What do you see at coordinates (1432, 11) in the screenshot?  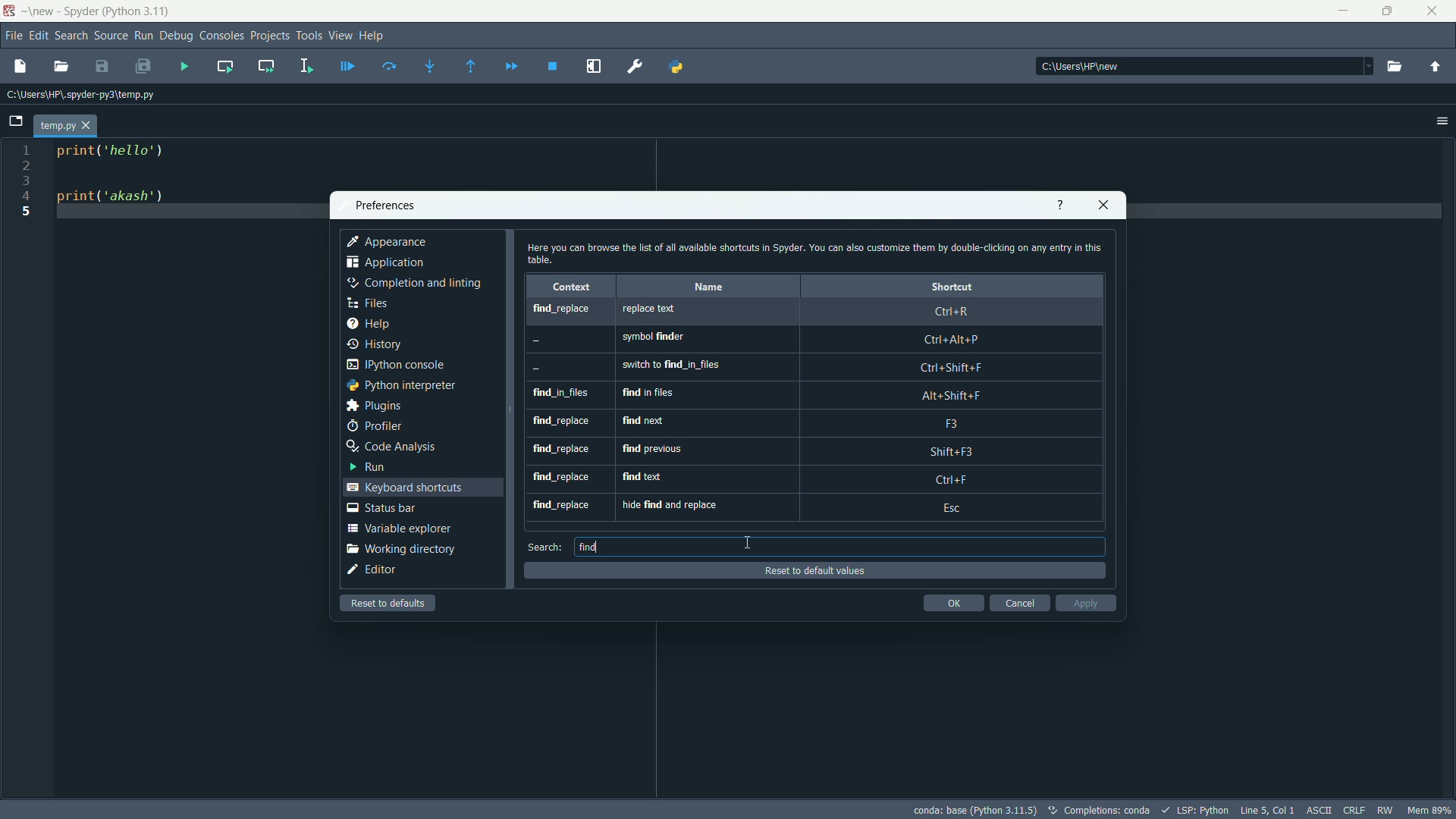 I see `close app` at bounding box center [1432, 11].